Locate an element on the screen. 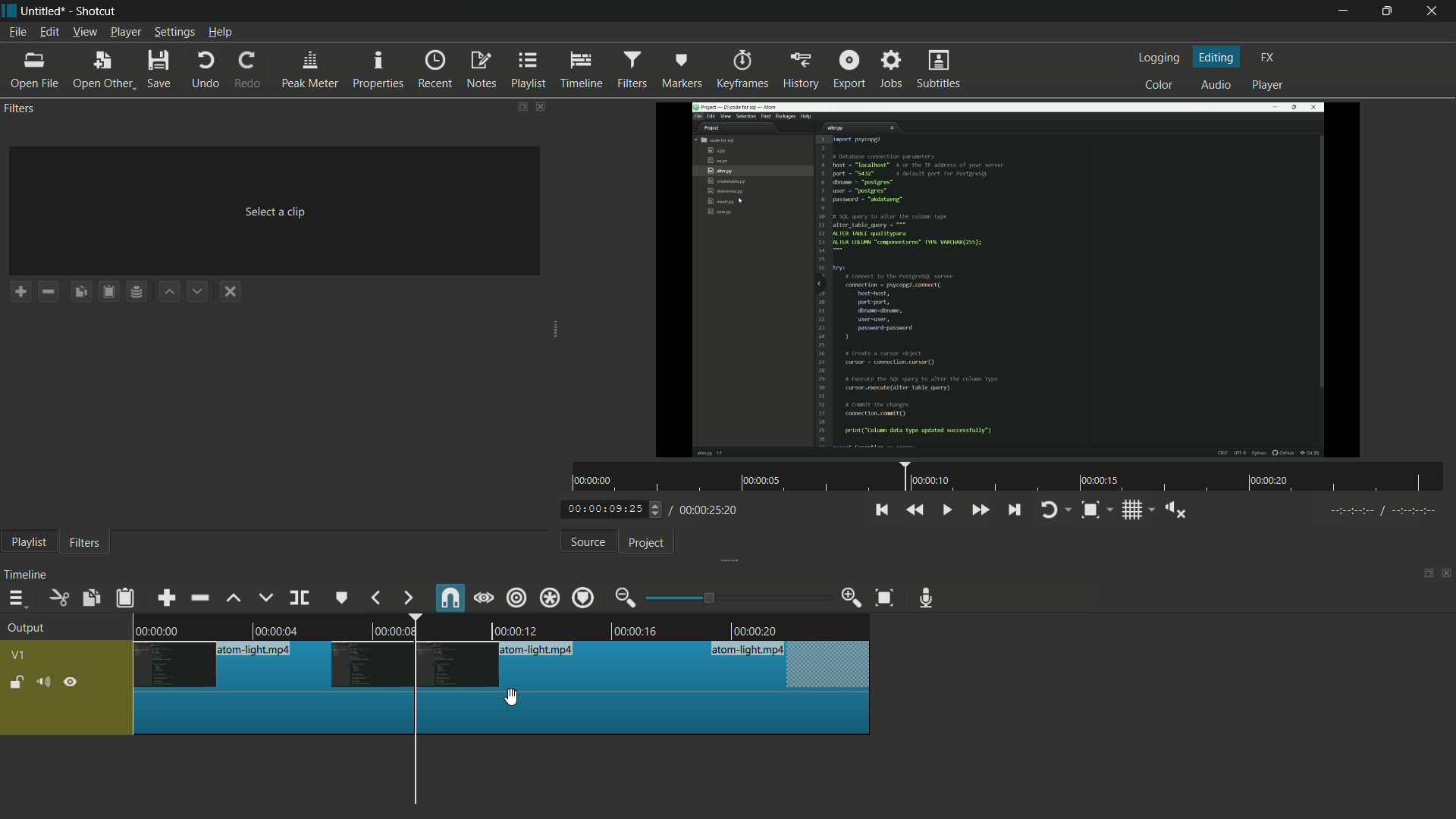 The height and width of the screenshot is (819, 1456). peak meter is located at coordinates (310, 71).